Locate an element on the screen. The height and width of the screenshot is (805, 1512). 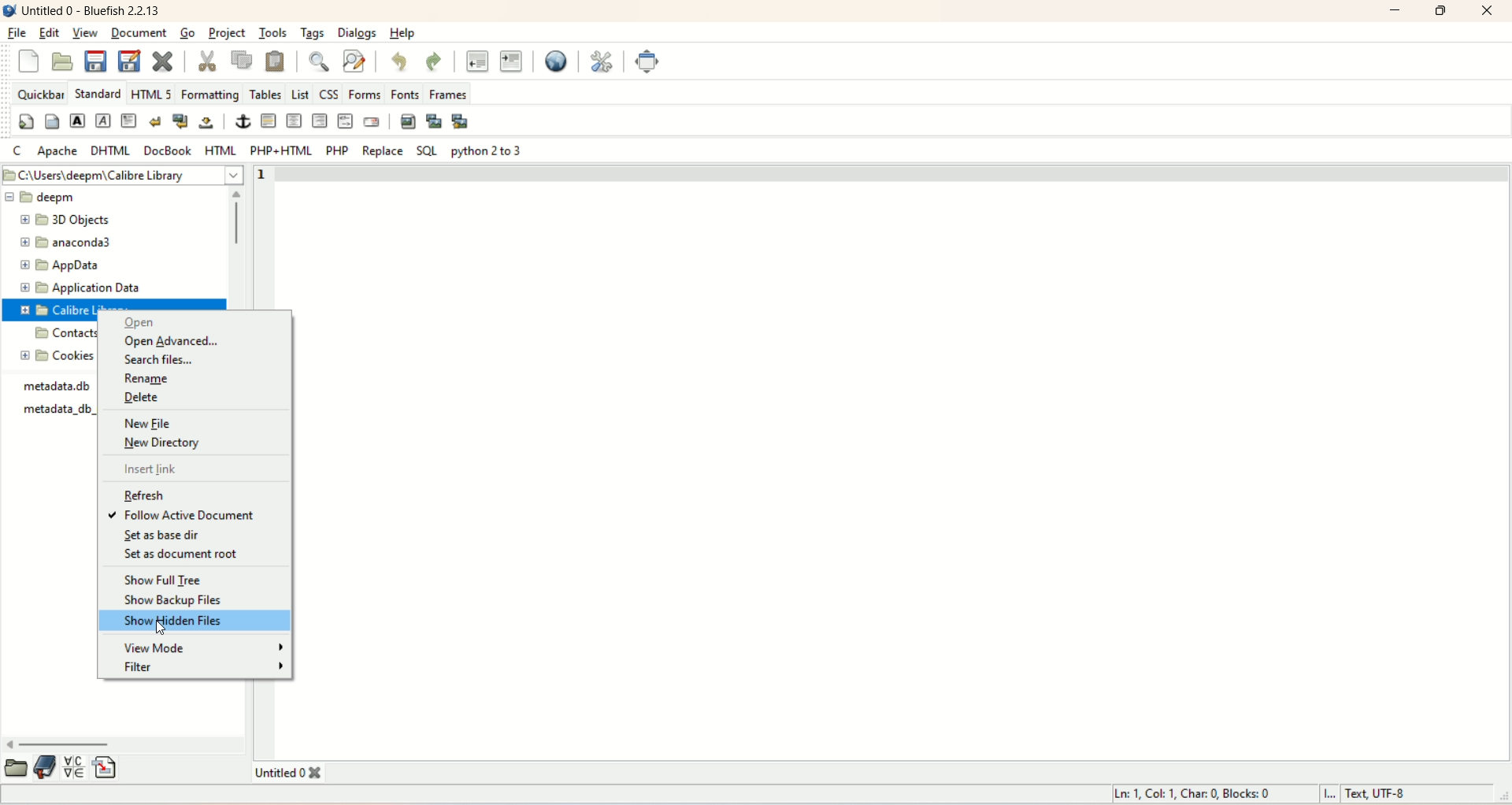
REPLACE is located at coordinates (382, 154).